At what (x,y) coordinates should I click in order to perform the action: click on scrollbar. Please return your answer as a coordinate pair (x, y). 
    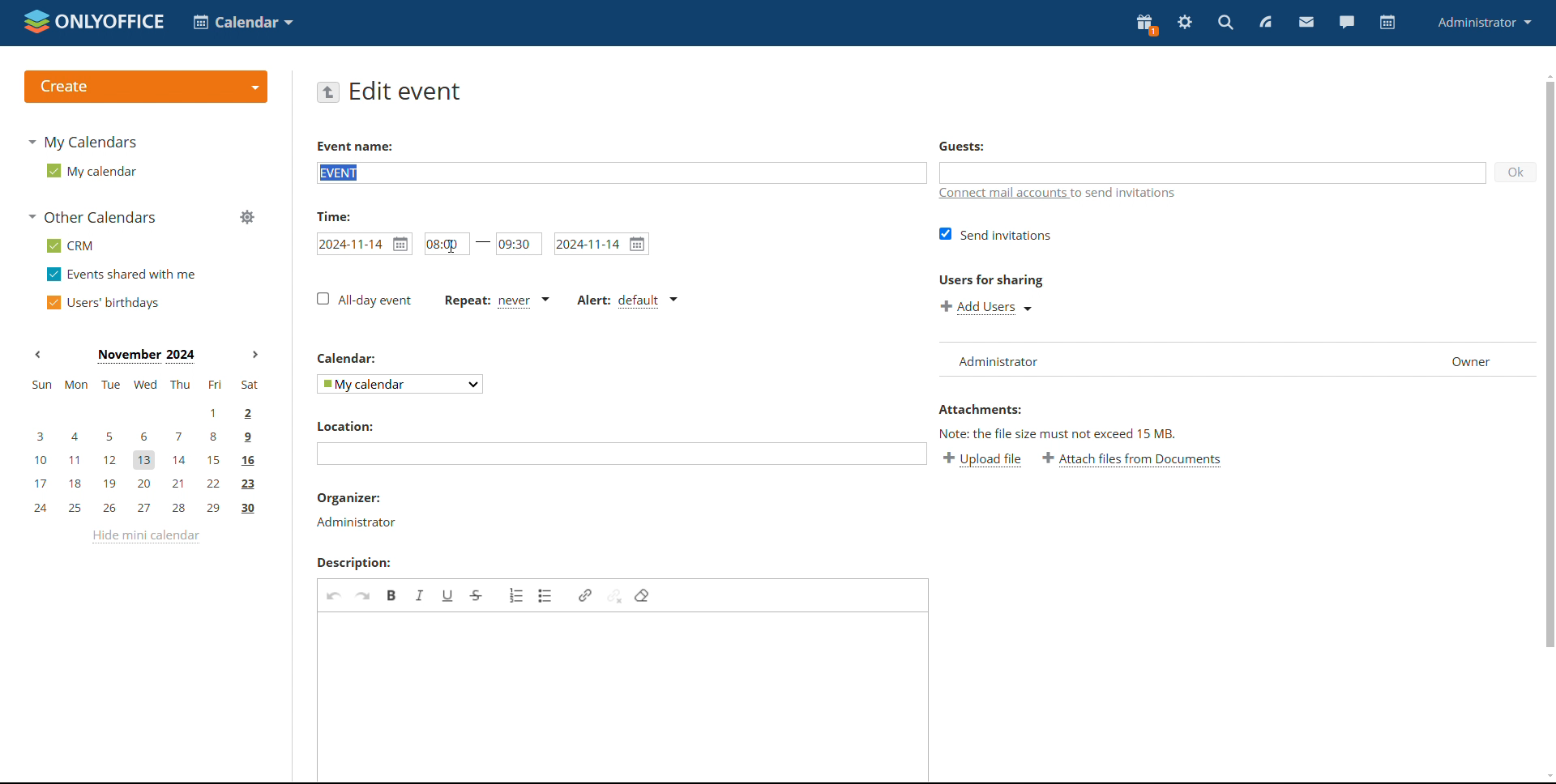
    Looking at the image, I should click on (1549, 364).